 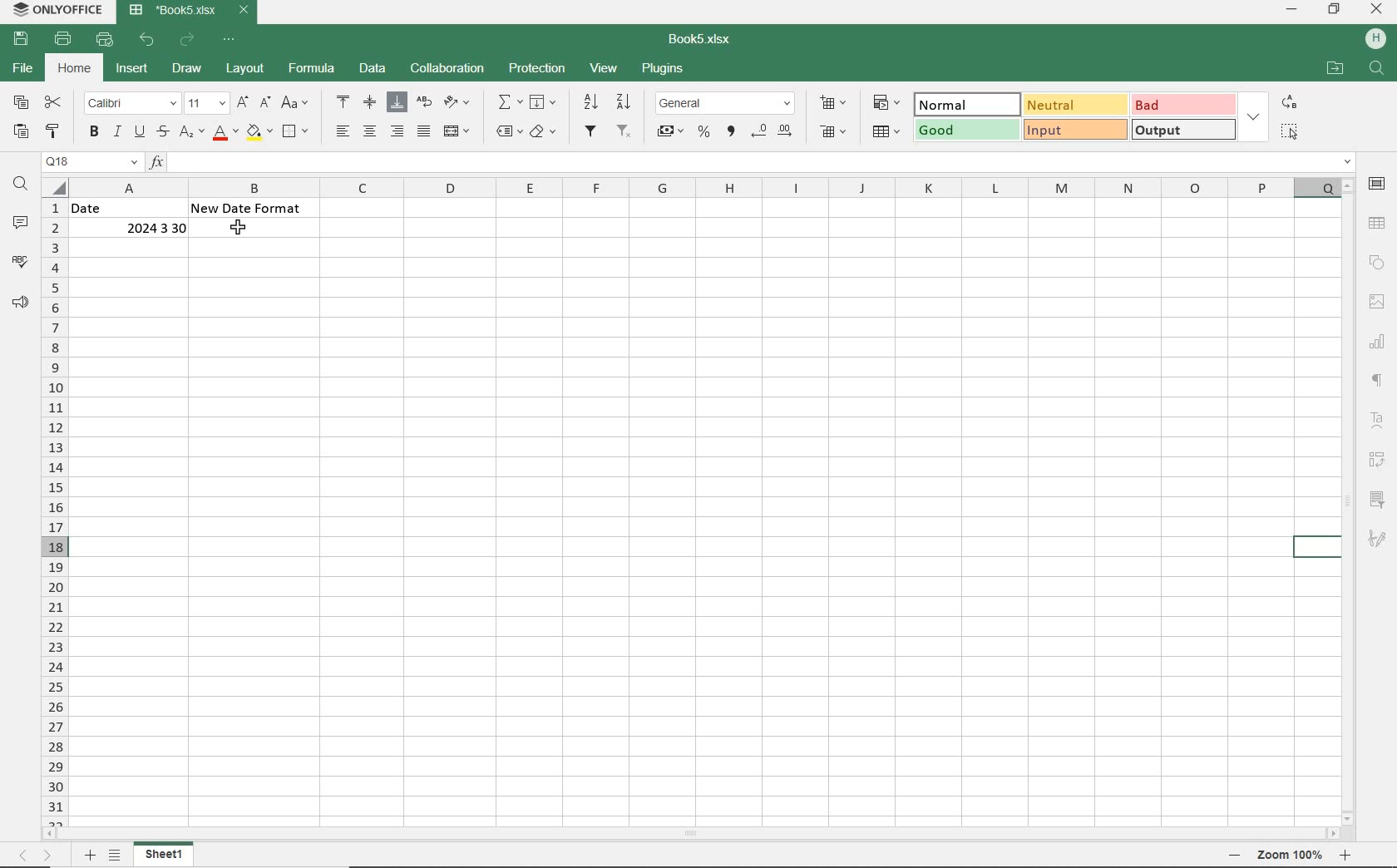 I want to click on UNDO, so click(x=146, y=39).